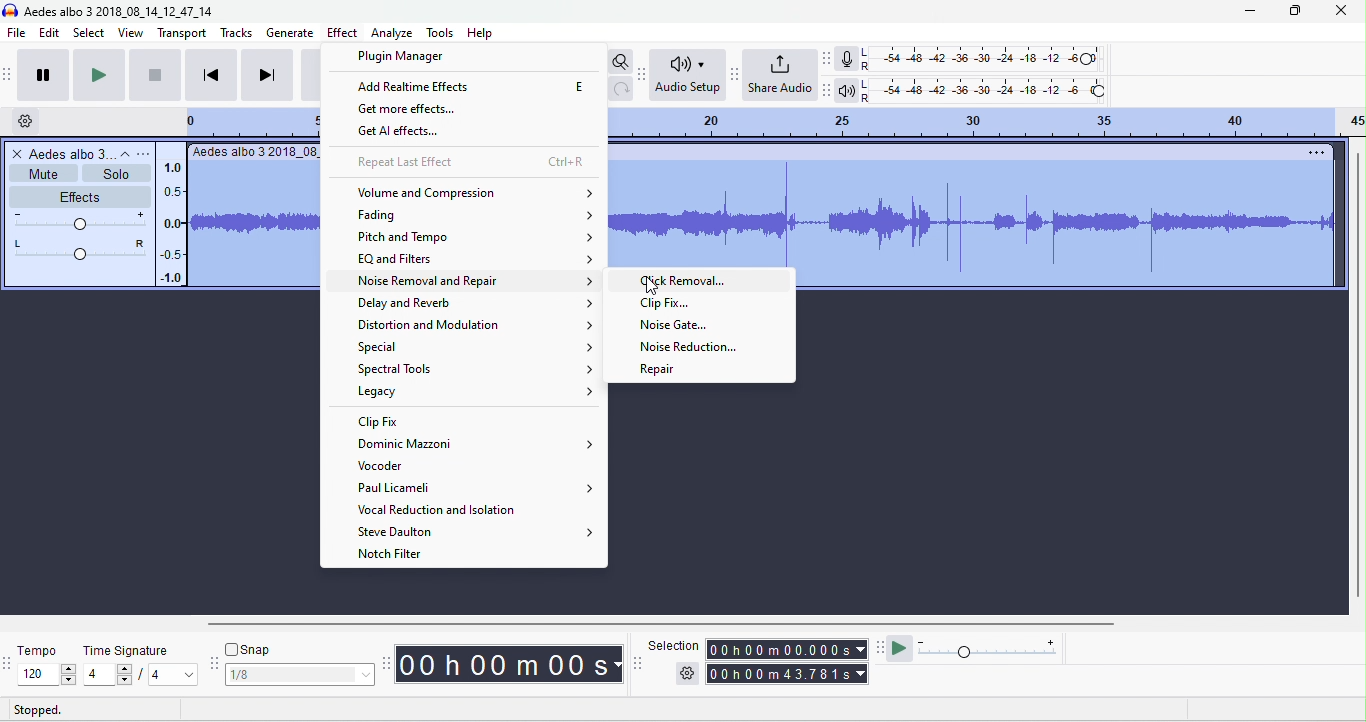 This screenshot has height=722, width=1366. Describe the element at coordinates (76, 219) in the screenshot. I see `volume` at that location.